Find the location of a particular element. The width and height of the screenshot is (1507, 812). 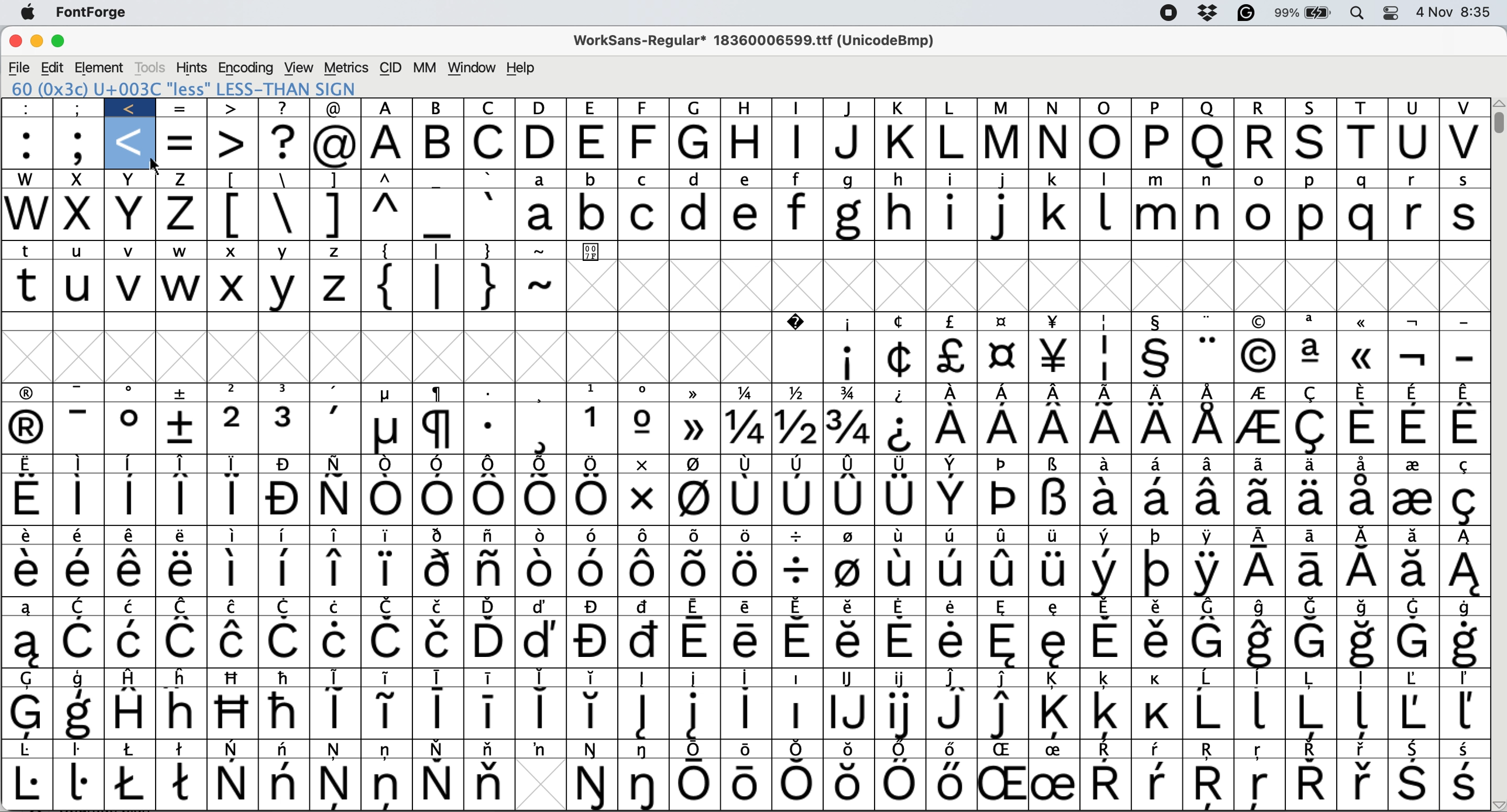

a is located at coordinates (387, 143).